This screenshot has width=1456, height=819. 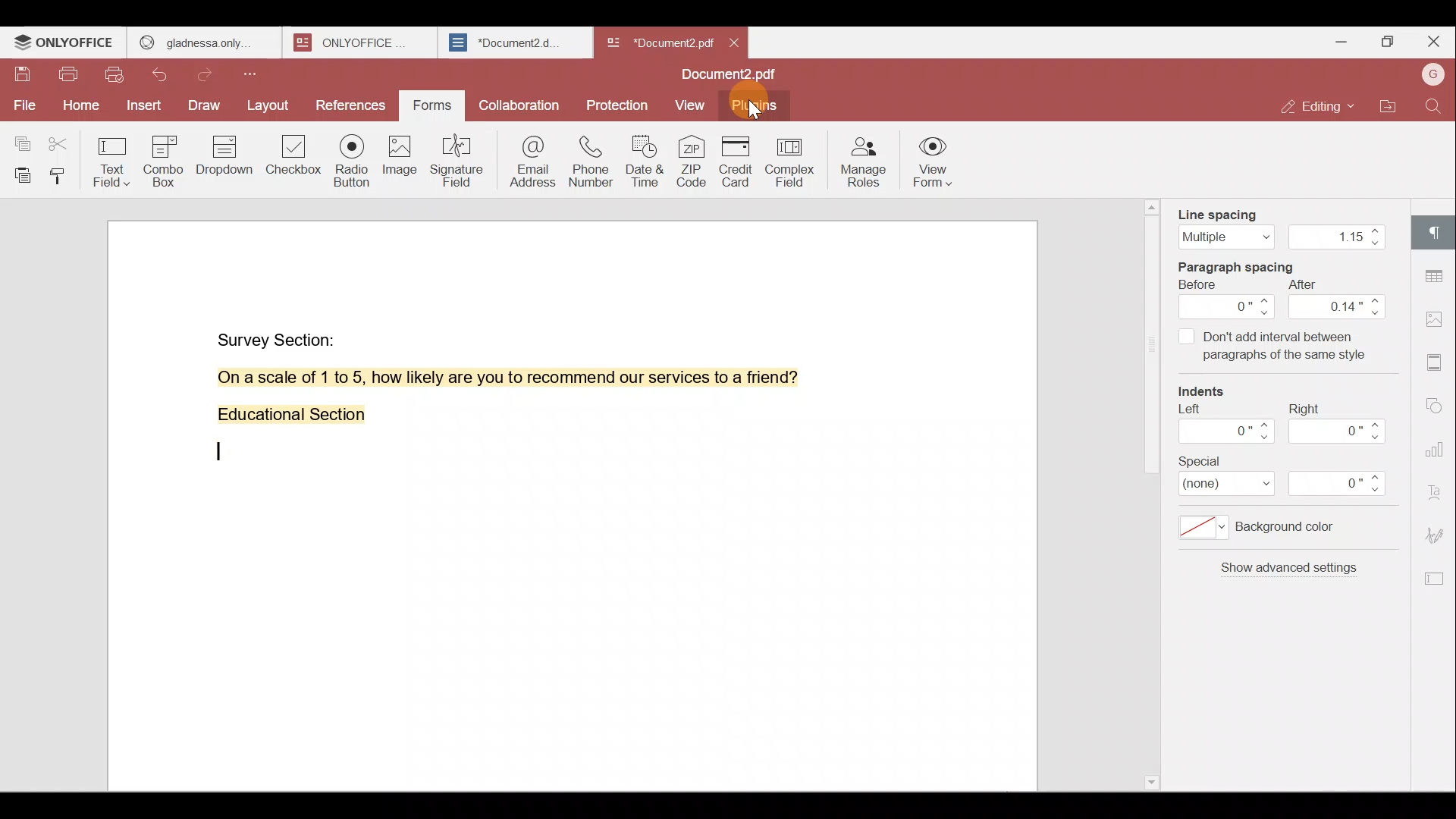 I want to click on Header & footer settings, so click(x=1438, y=361).